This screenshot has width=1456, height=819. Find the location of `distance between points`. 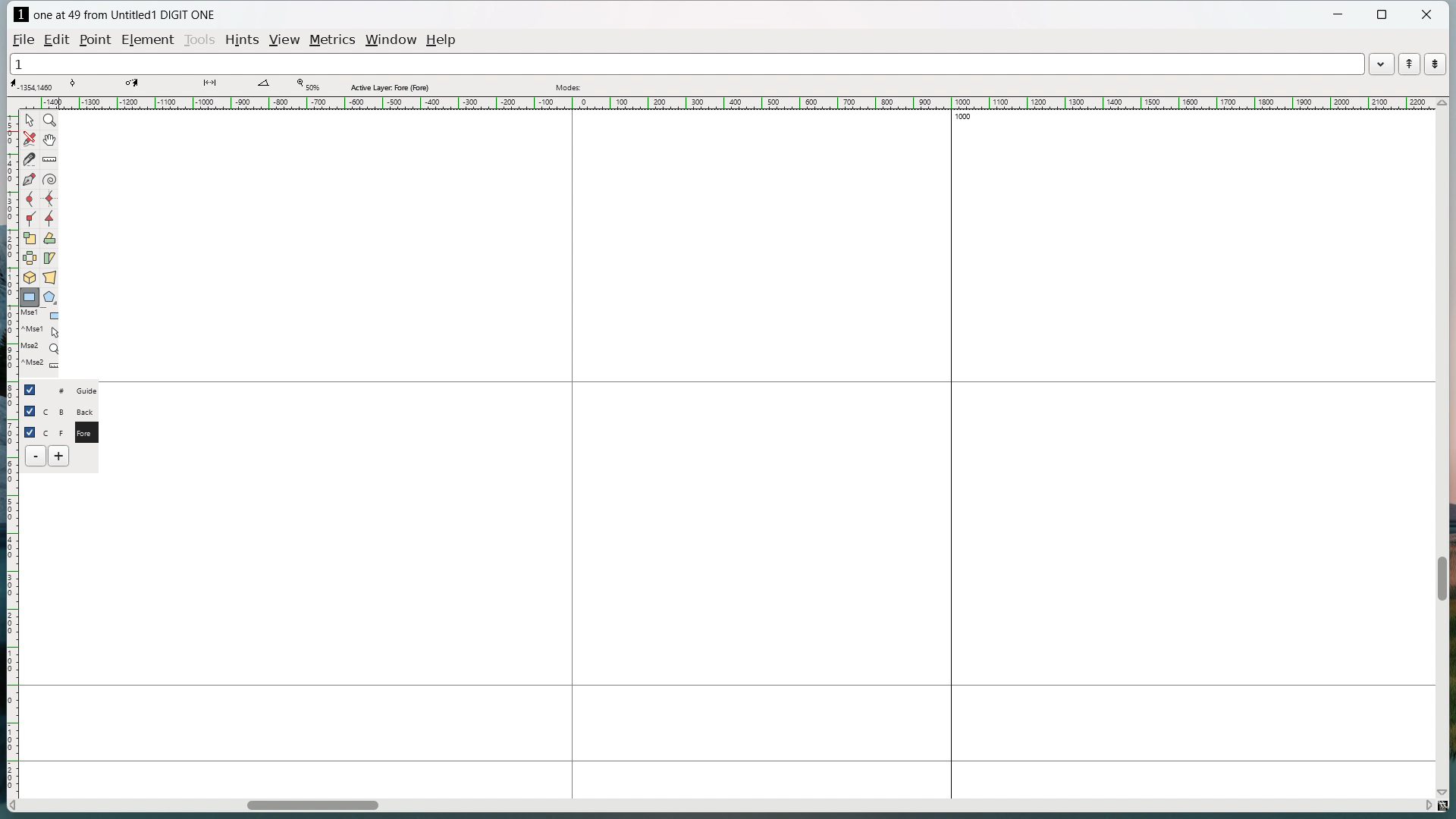

distance between points is located at coordinates (209, 83).